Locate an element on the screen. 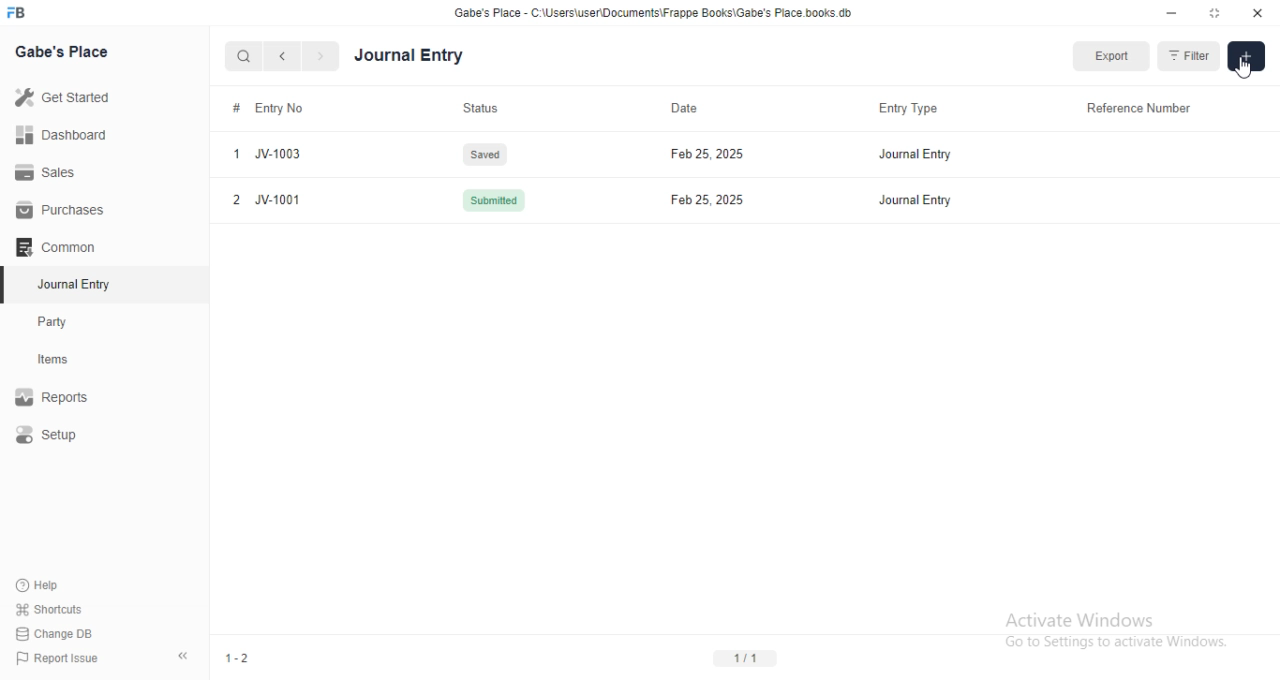 Image resolution: width=1280 pixels, height=680 pixels. Entry No is located at coordinates (281, 107).